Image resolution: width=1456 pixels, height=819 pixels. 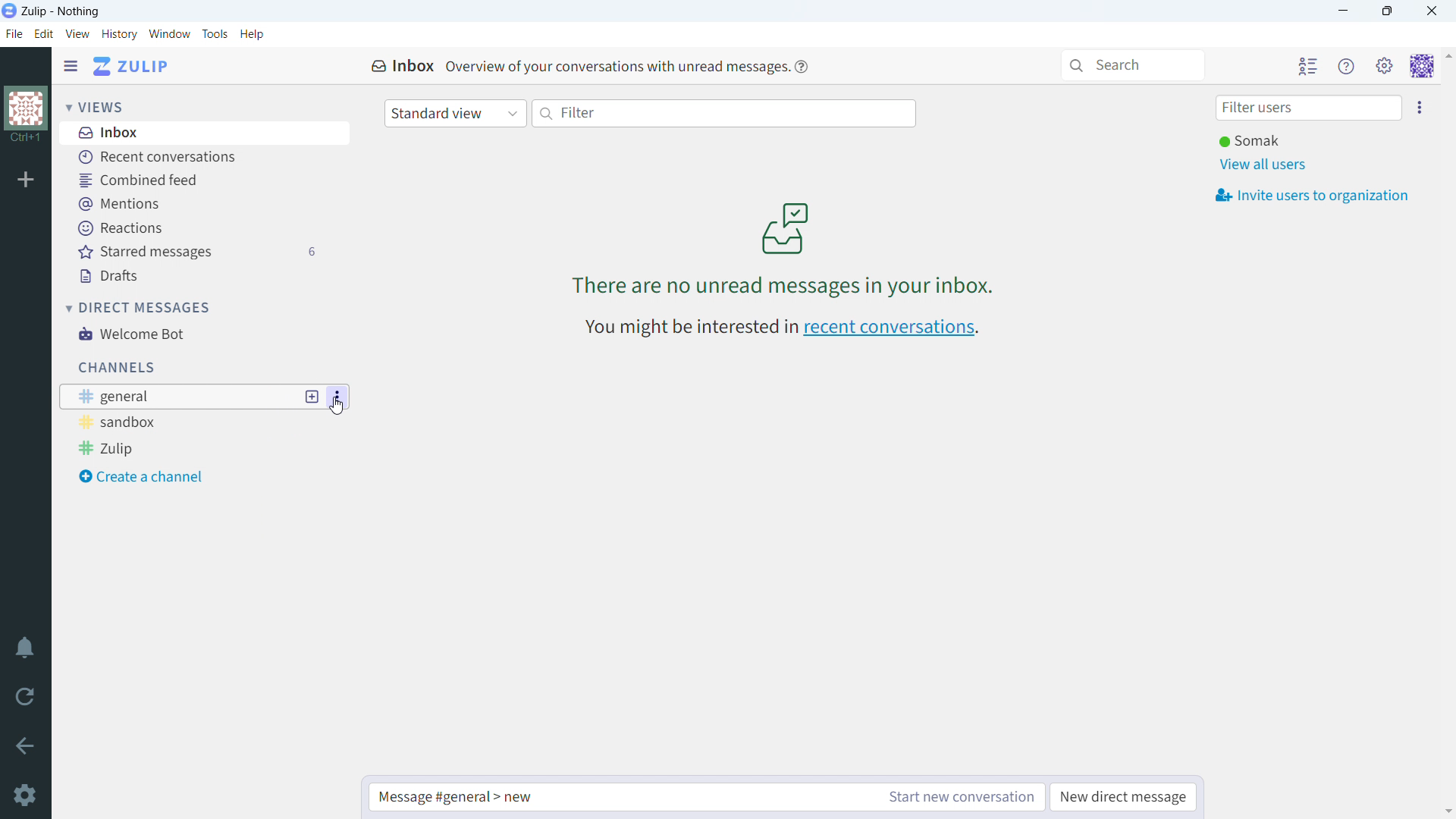 I want to click on hide sidebar menu, so click(x=71, y=67).